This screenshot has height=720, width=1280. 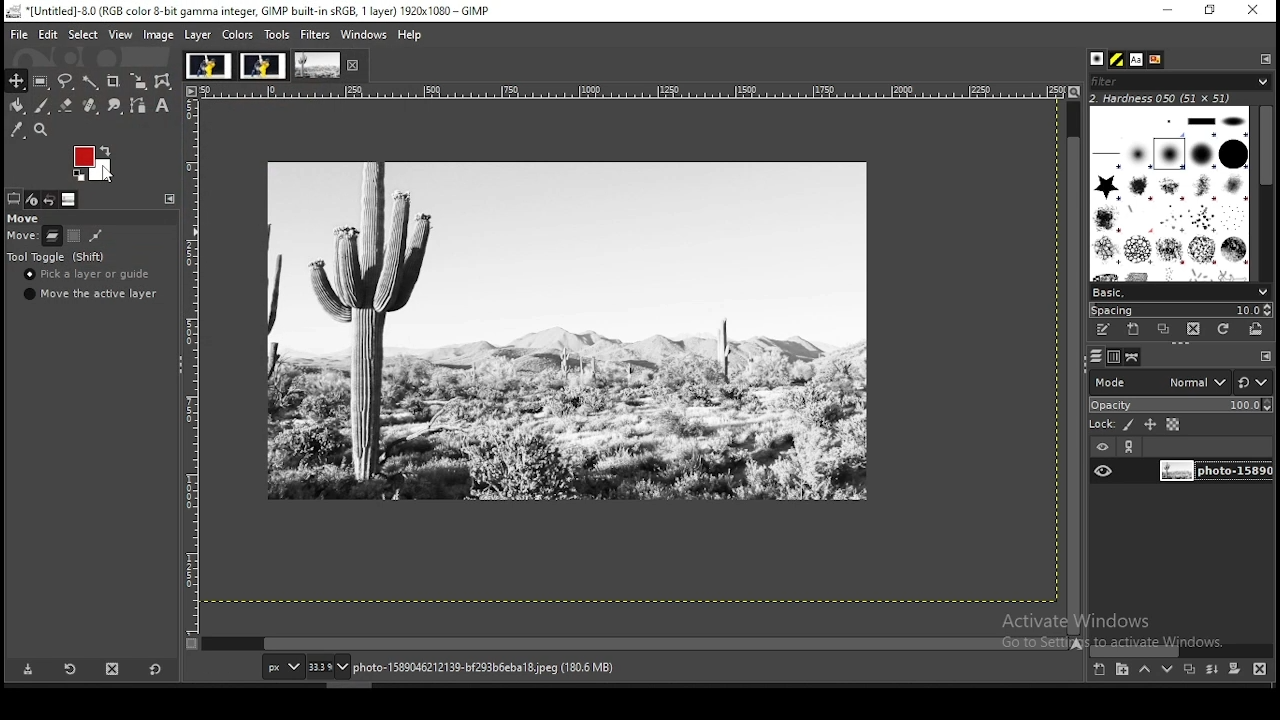 What do you see at coordinates (1134, 357) in the screenshot?
I see `paths` at bounding box center [1134, 357].